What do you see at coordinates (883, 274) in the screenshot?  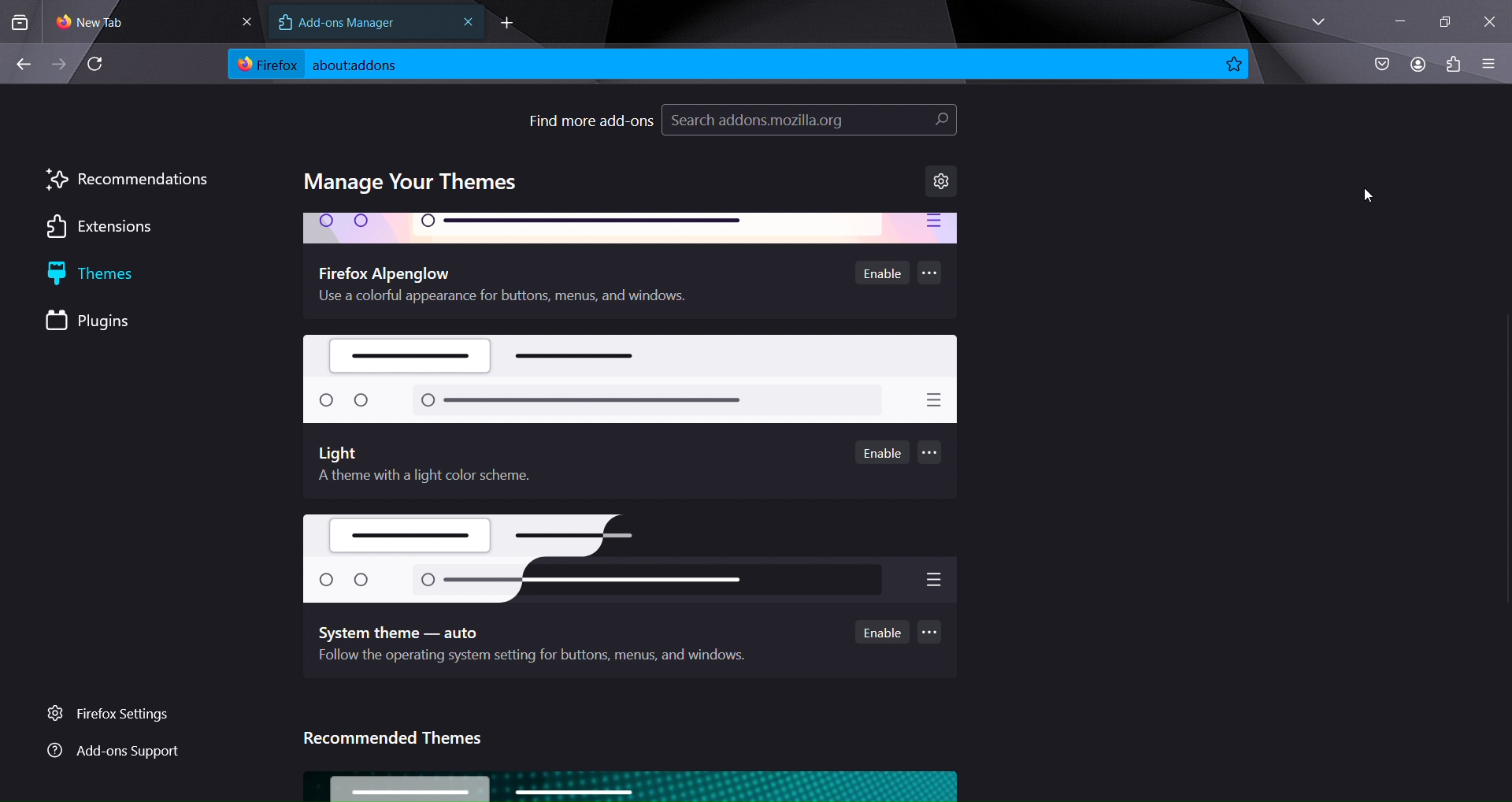 I see `enable` at bounding box center [883, 274].